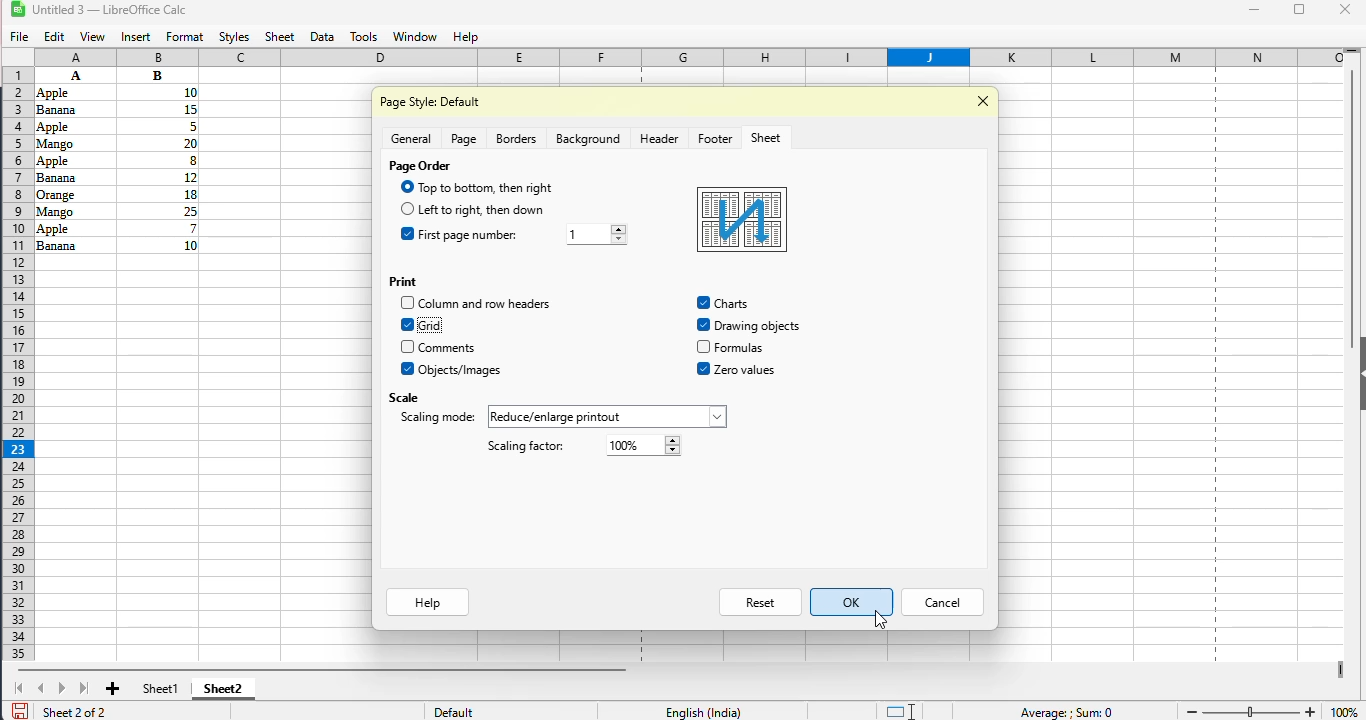 Image resolution: width=1366 pixels, height=720 pixels. Describe the element at coordinates (703, 711) in the screenshot. I see `English (India)` at that location.